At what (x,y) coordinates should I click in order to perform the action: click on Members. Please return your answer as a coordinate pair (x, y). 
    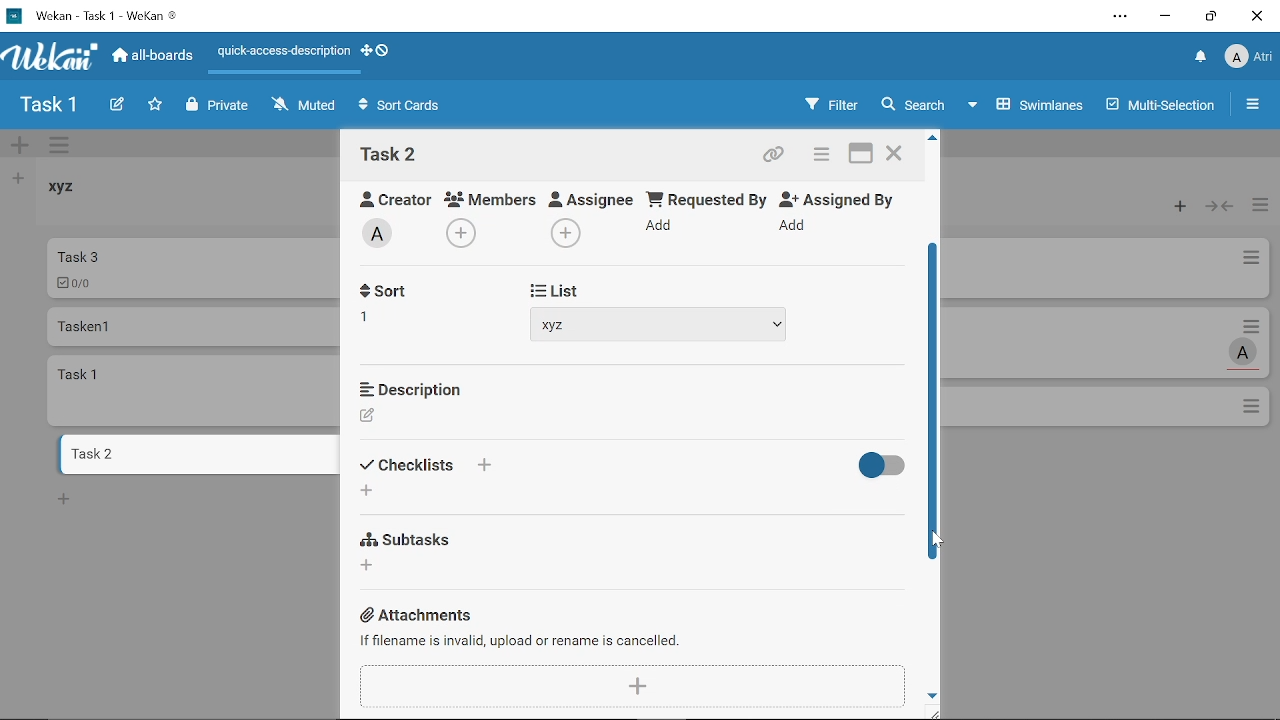
    Looking at the image, I should click on (491, 198).